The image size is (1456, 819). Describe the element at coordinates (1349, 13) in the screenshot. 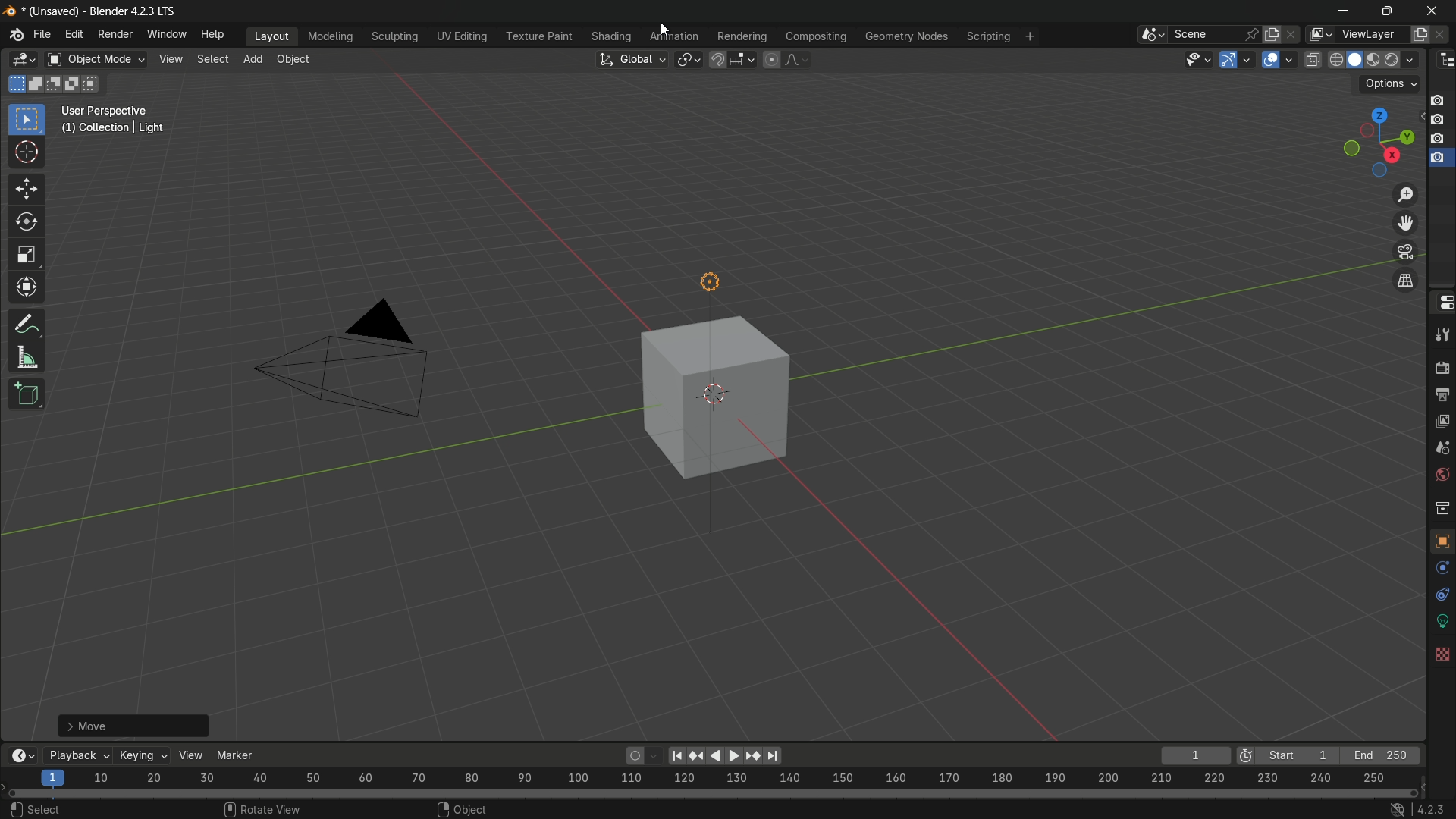

I see `minimize` at that location.